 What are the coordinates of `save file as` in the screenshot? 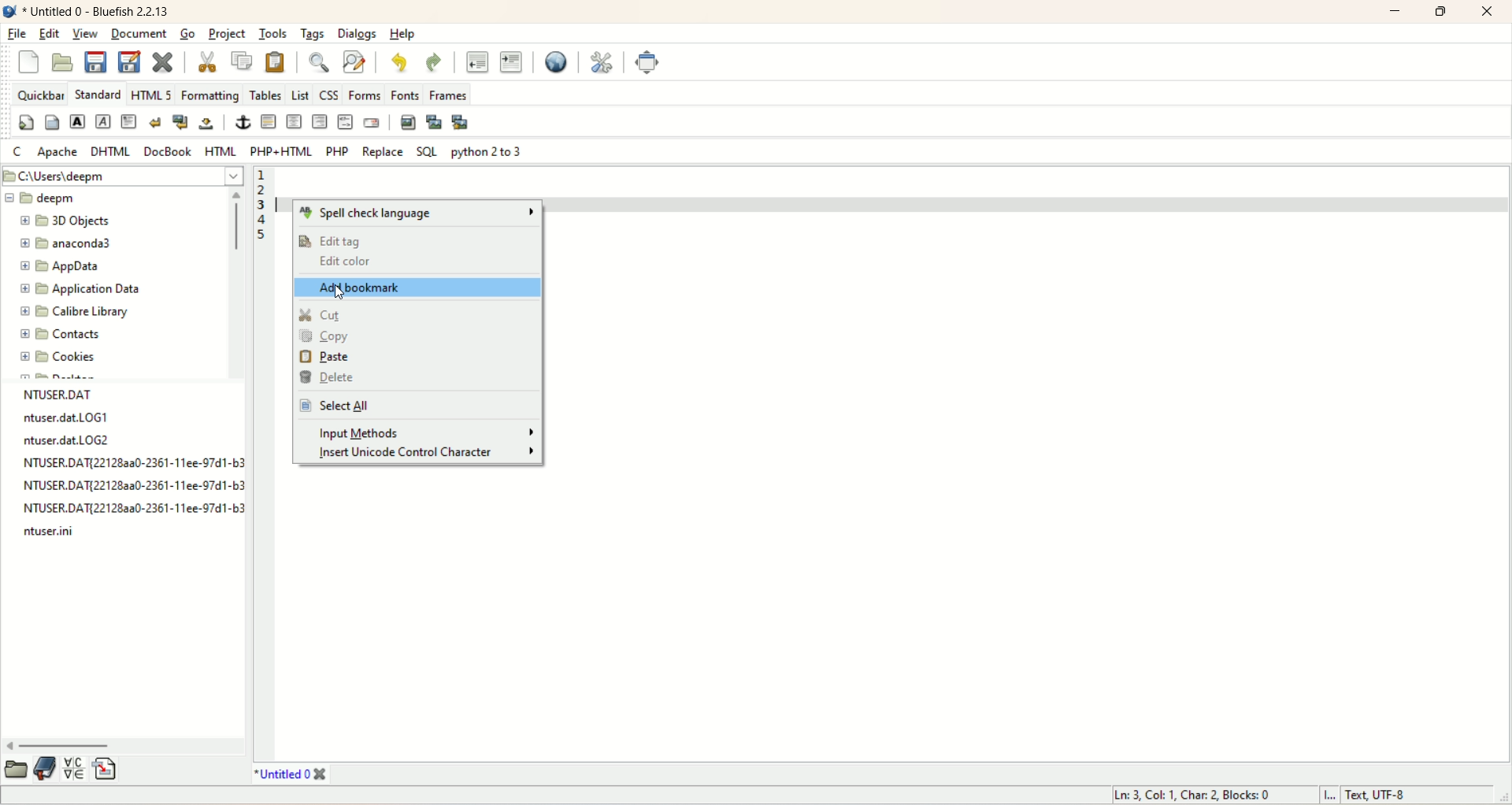 It's located at (130, 63).